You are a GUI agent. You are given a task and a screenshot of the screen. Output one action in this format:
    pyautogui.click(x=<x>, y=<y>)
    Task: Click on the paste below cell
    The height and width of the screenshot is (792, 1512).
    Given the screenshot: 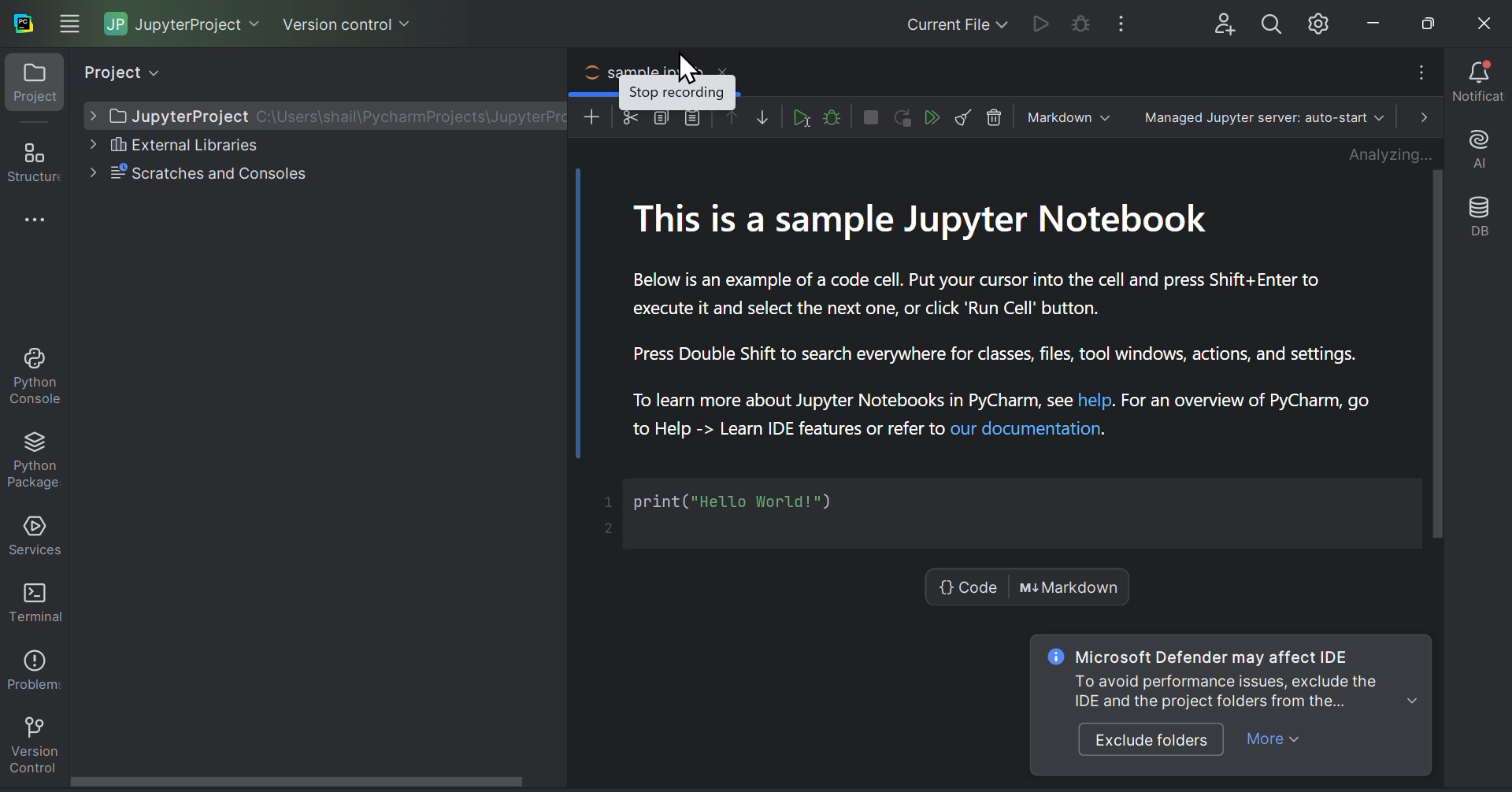 What is the action you would take?
    pyautogui.click(x=691, y=119)
    